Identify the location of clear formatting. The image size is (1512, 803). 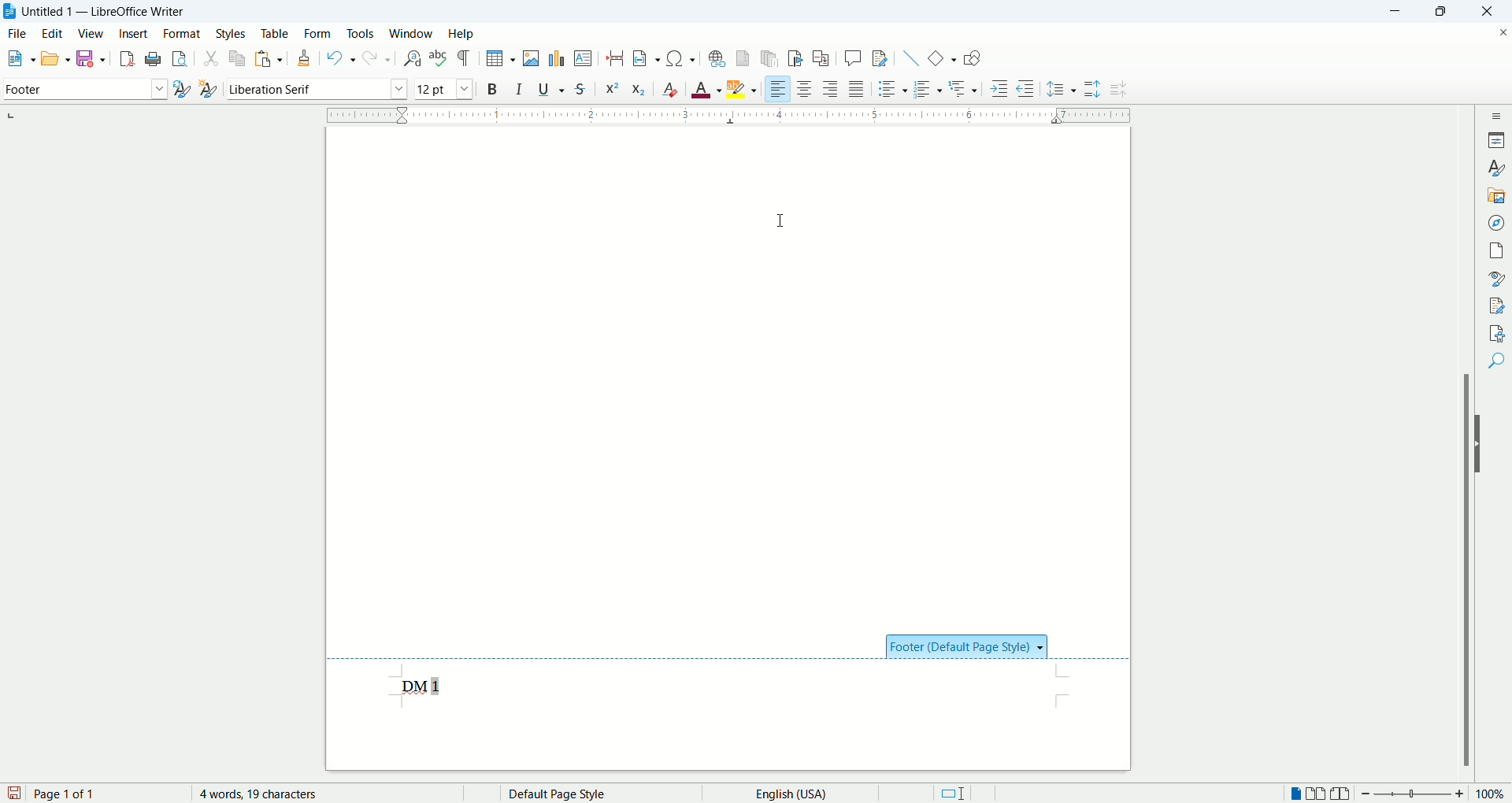
(671, 89).